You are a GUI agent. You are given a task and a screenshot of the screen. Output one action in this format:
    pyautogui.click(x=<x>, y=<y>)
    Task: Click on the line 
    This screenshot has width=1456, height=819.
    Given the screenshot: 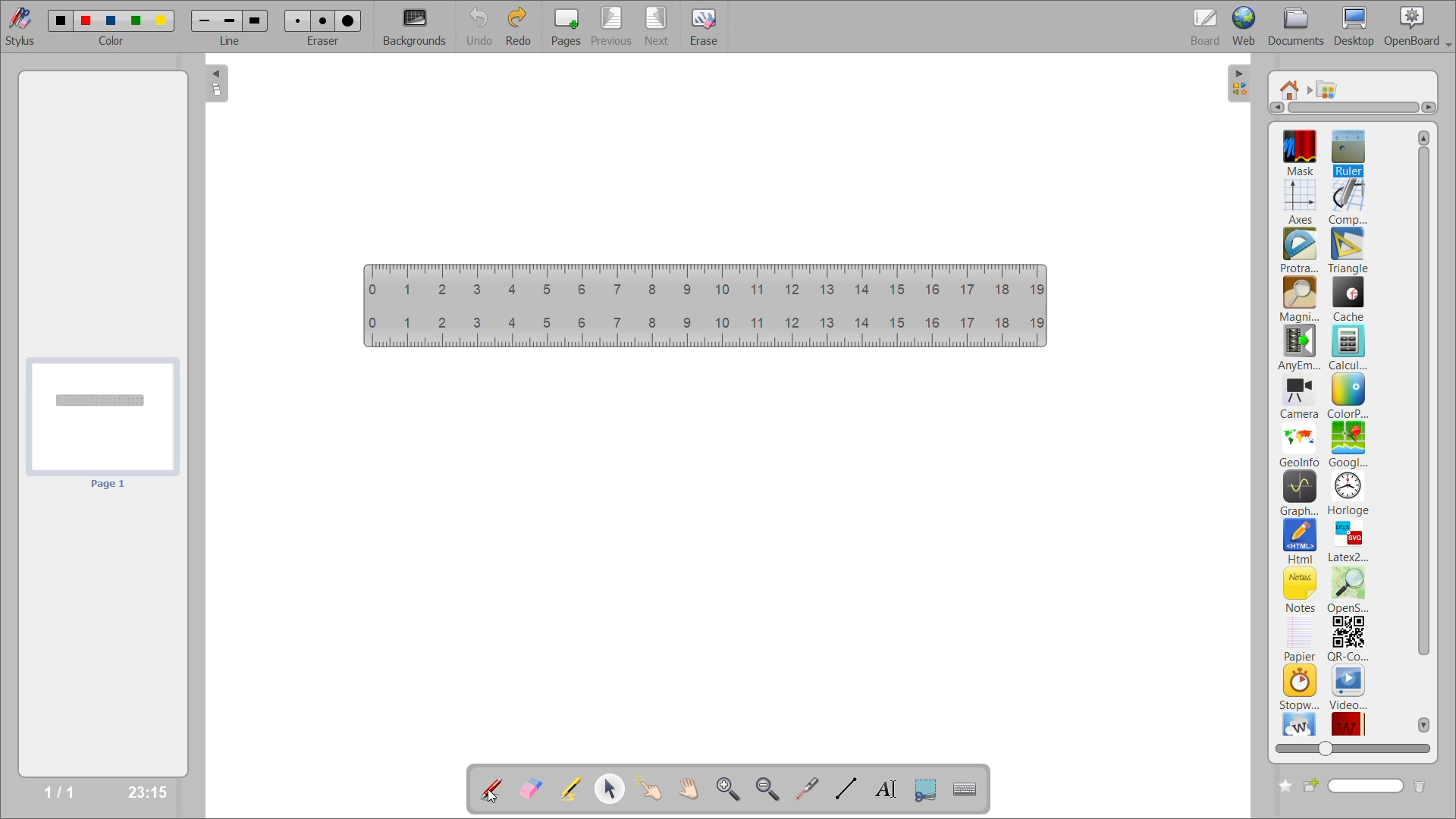 What is the action you would take?
    pyautogui.click(x=231, y=40)
    